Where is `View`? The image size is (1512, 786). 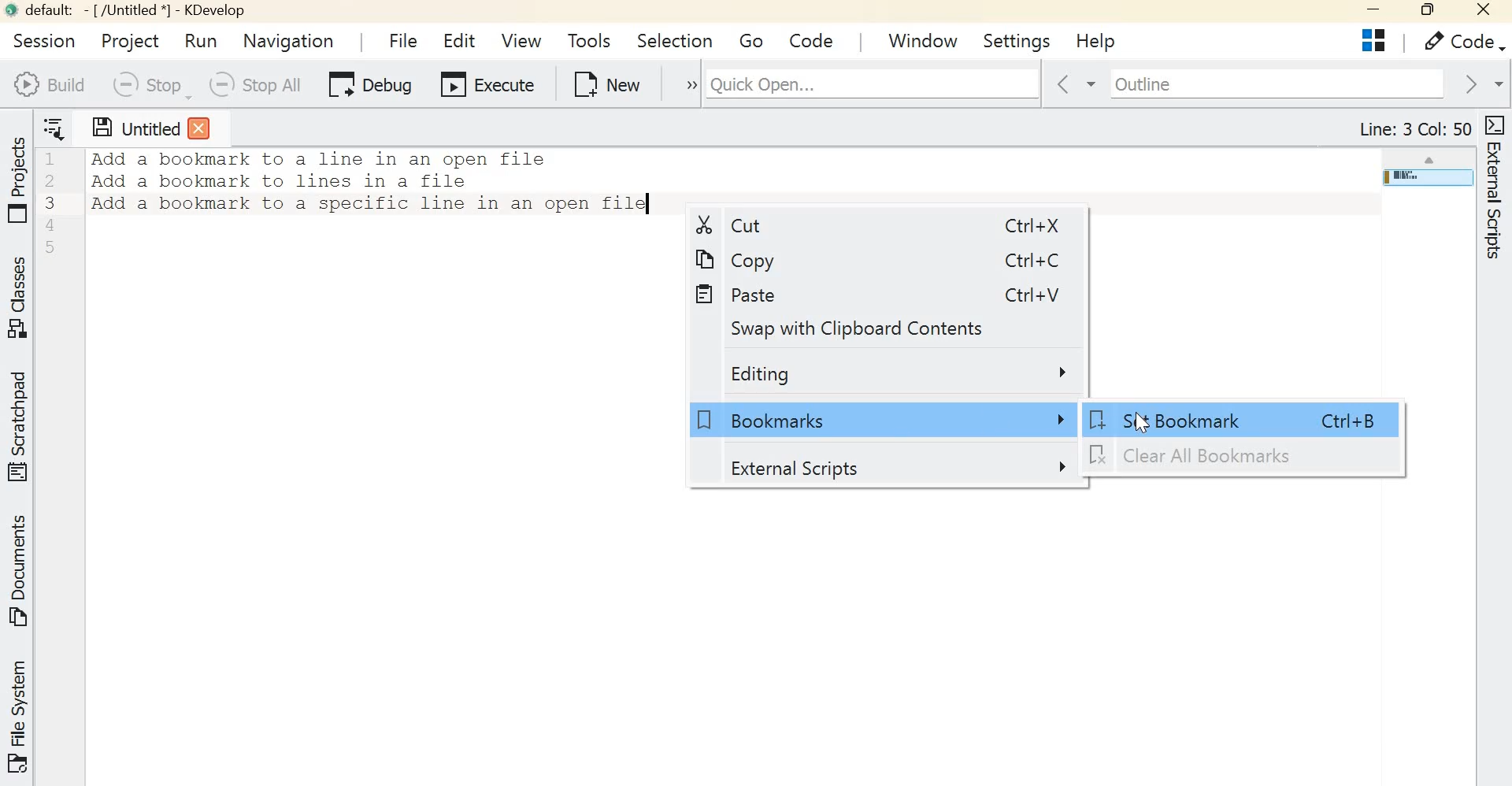 View is located at coordinates (521, 39).